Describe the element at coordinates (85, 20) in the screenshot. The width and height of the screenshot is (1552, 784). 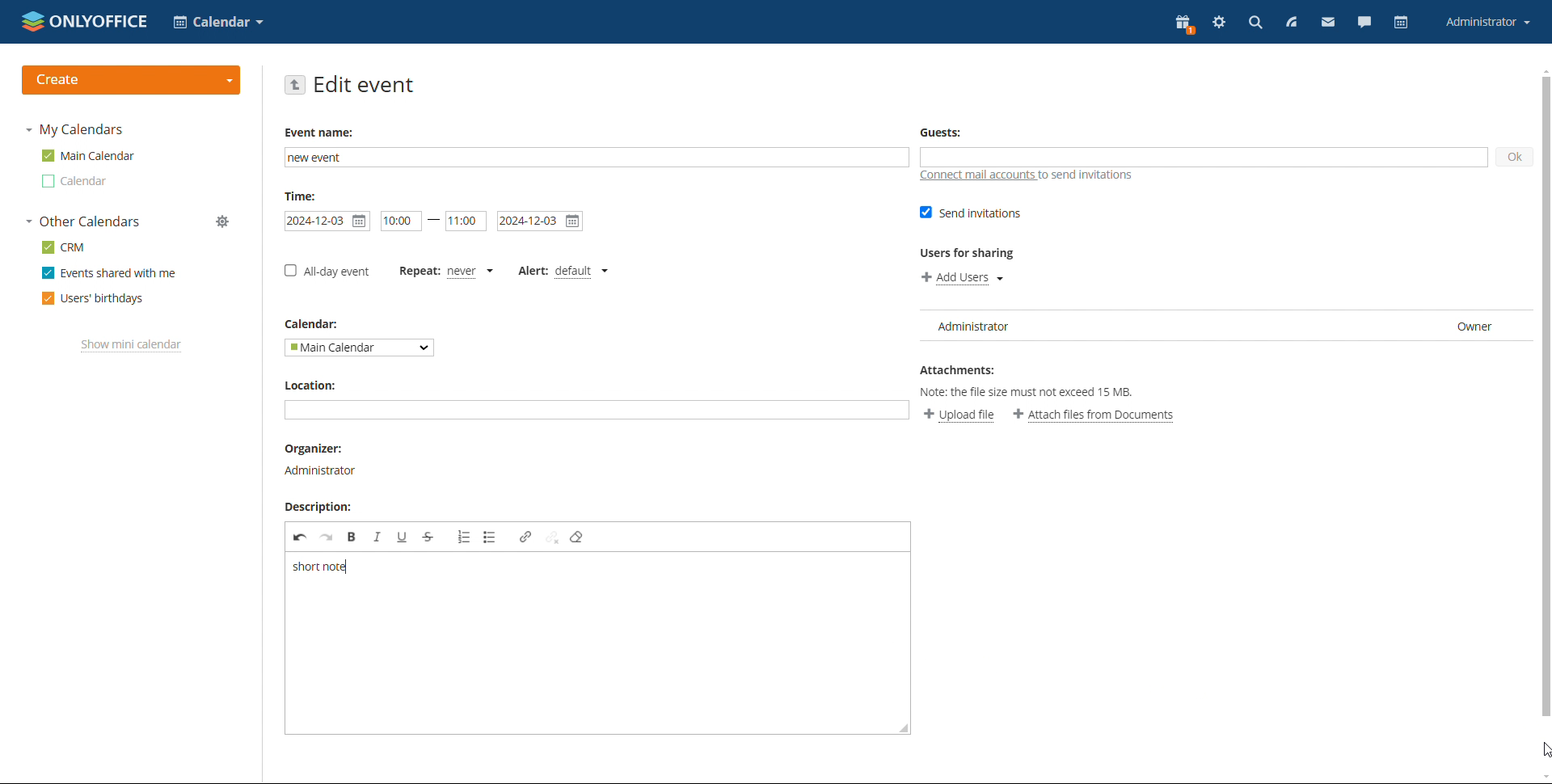
I see `logo` at that location.